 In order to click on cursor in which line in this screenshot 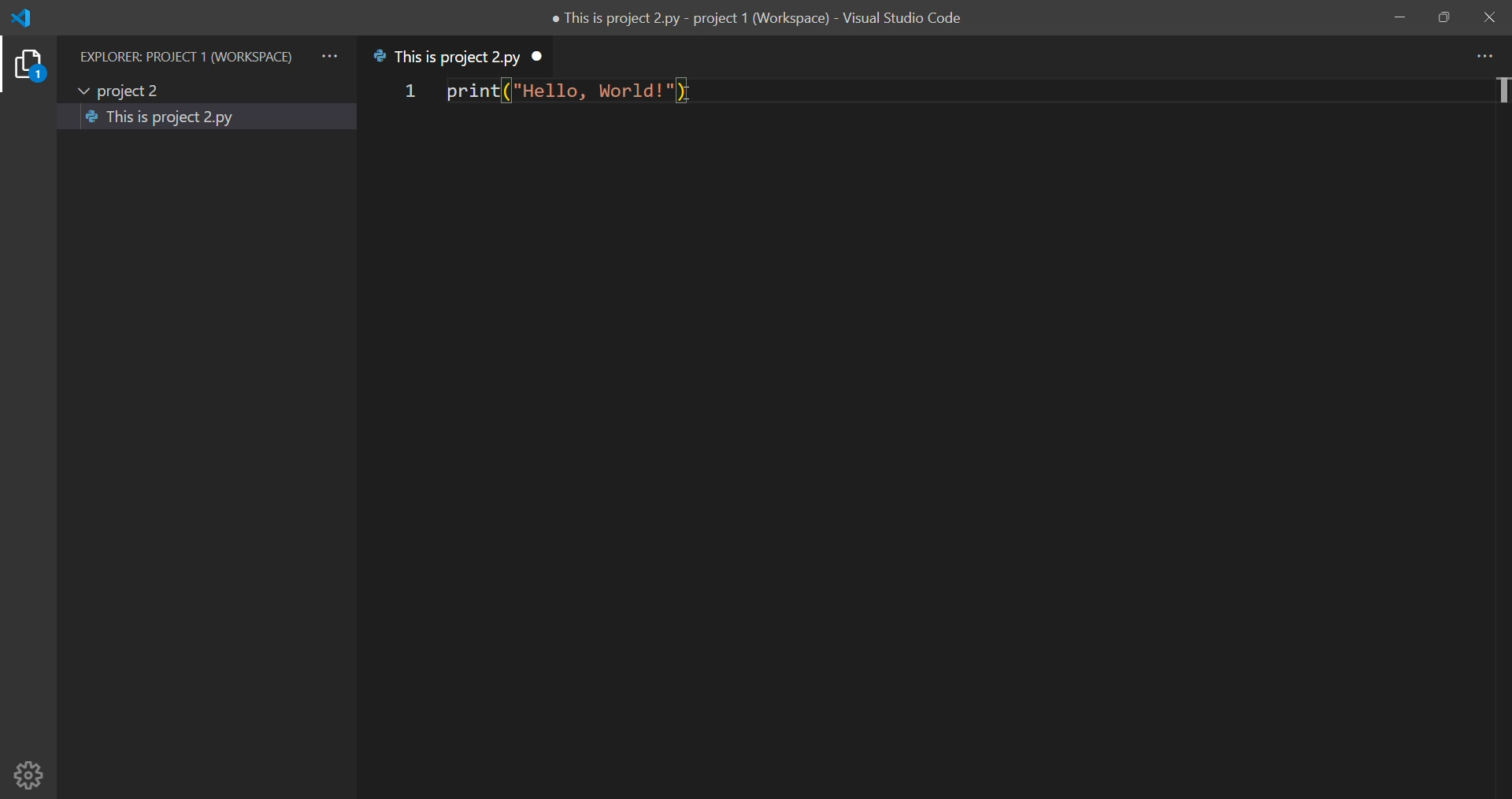, I will do `click(1502, 92)`.